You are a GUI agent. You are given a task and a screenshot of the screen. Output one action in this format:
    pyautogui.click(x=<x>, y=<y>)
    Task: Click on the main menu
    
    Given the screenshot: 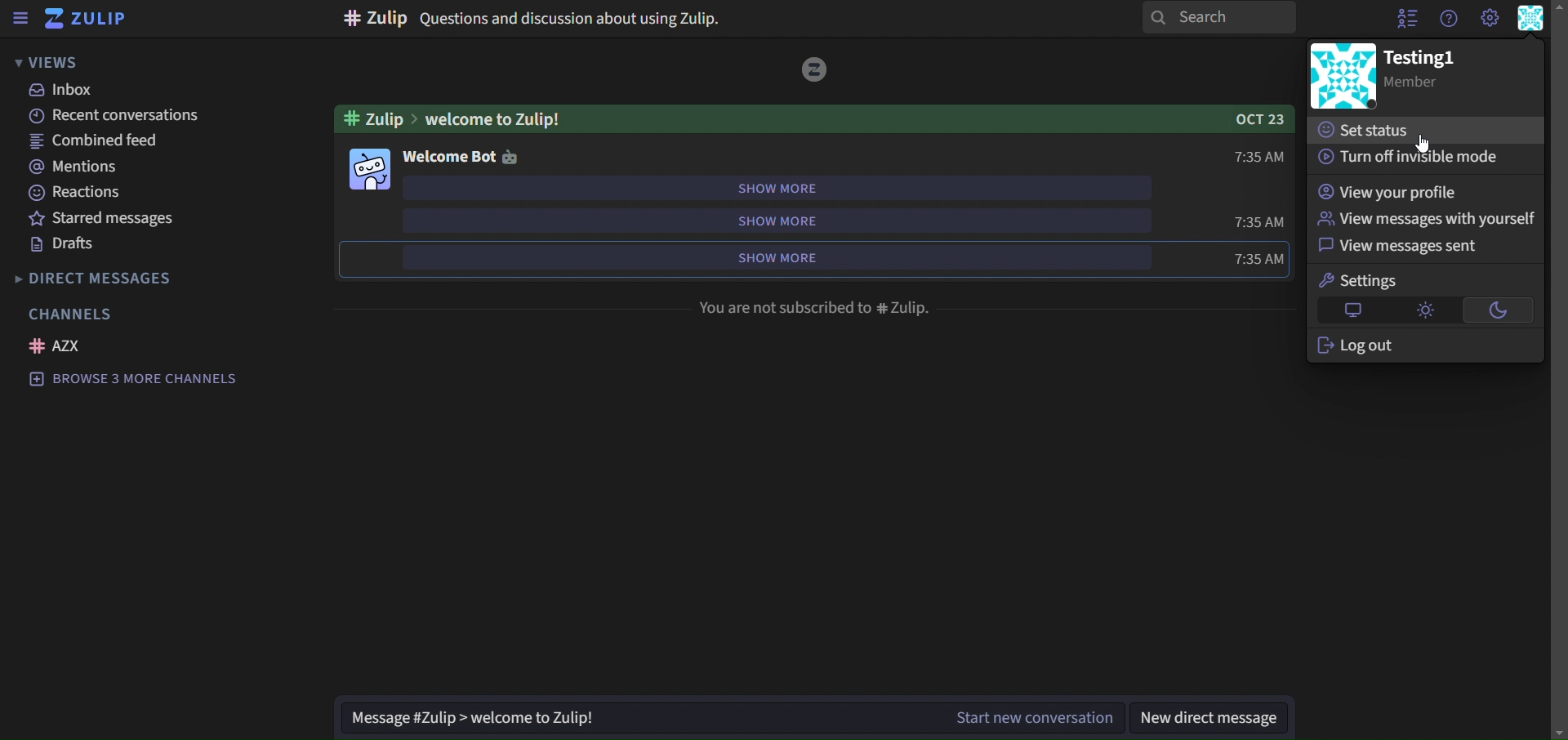 What is the action you would take?
    pyautogui.click(x=1490, y=17)
    